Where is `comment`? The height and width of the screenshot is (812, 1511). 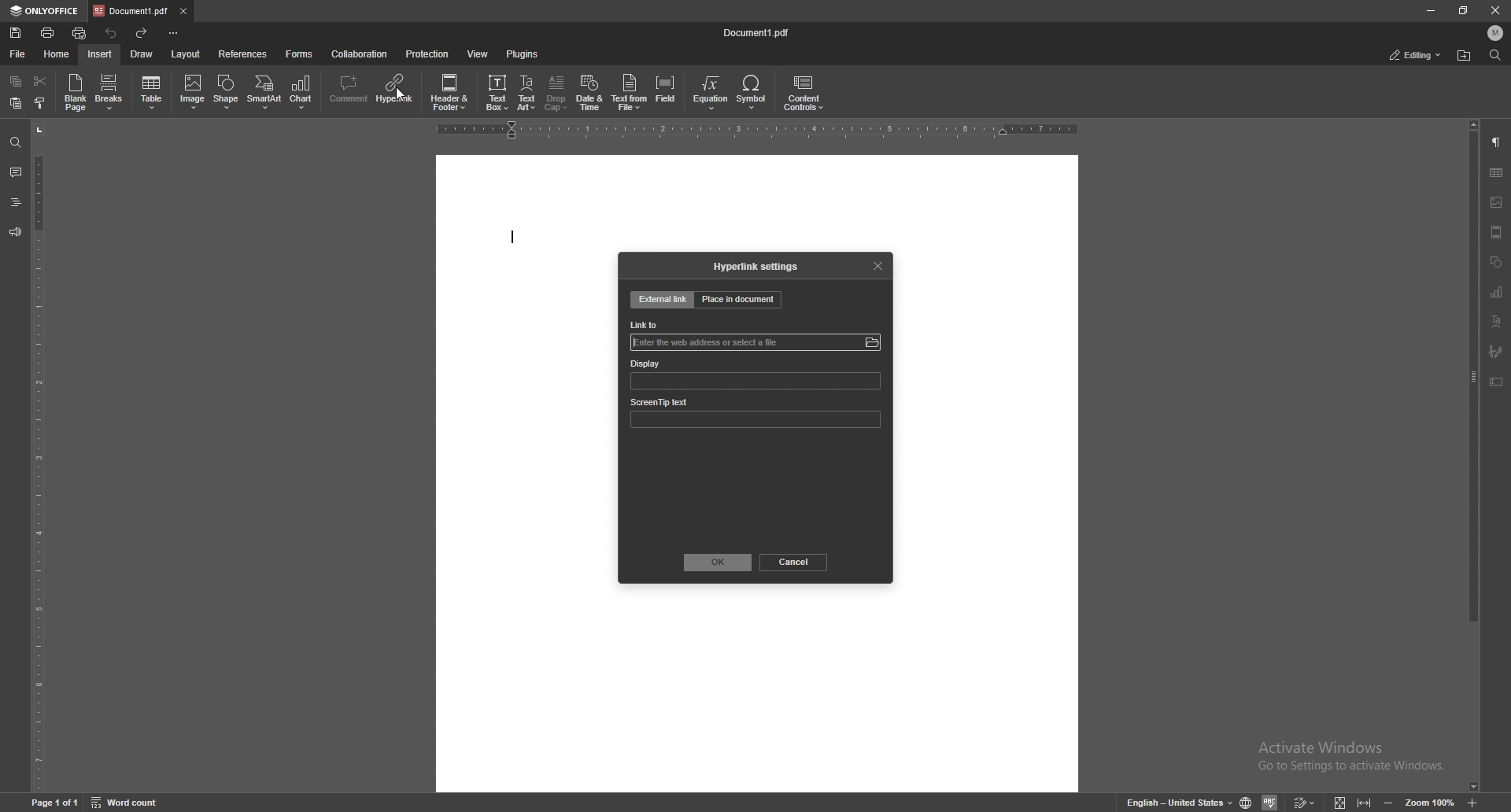
comment is located at coordinates (350, 90).